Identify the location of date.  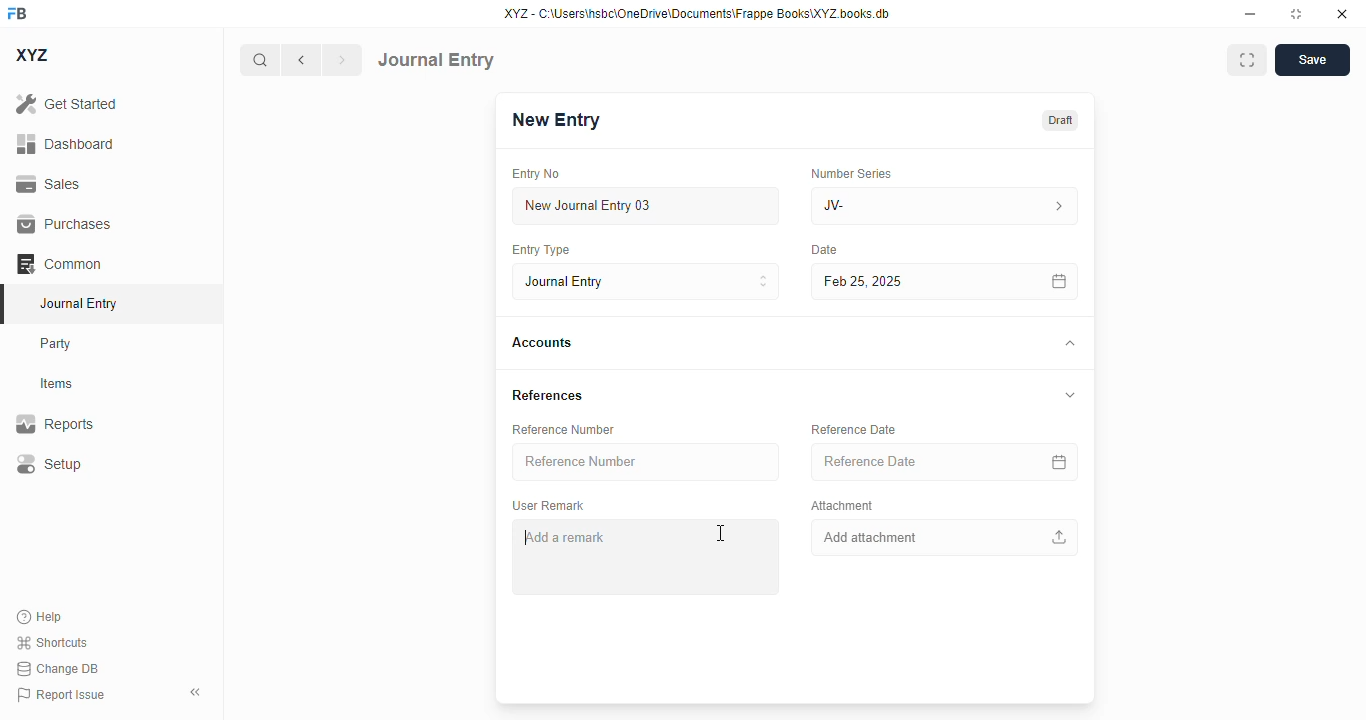
(821, 250).